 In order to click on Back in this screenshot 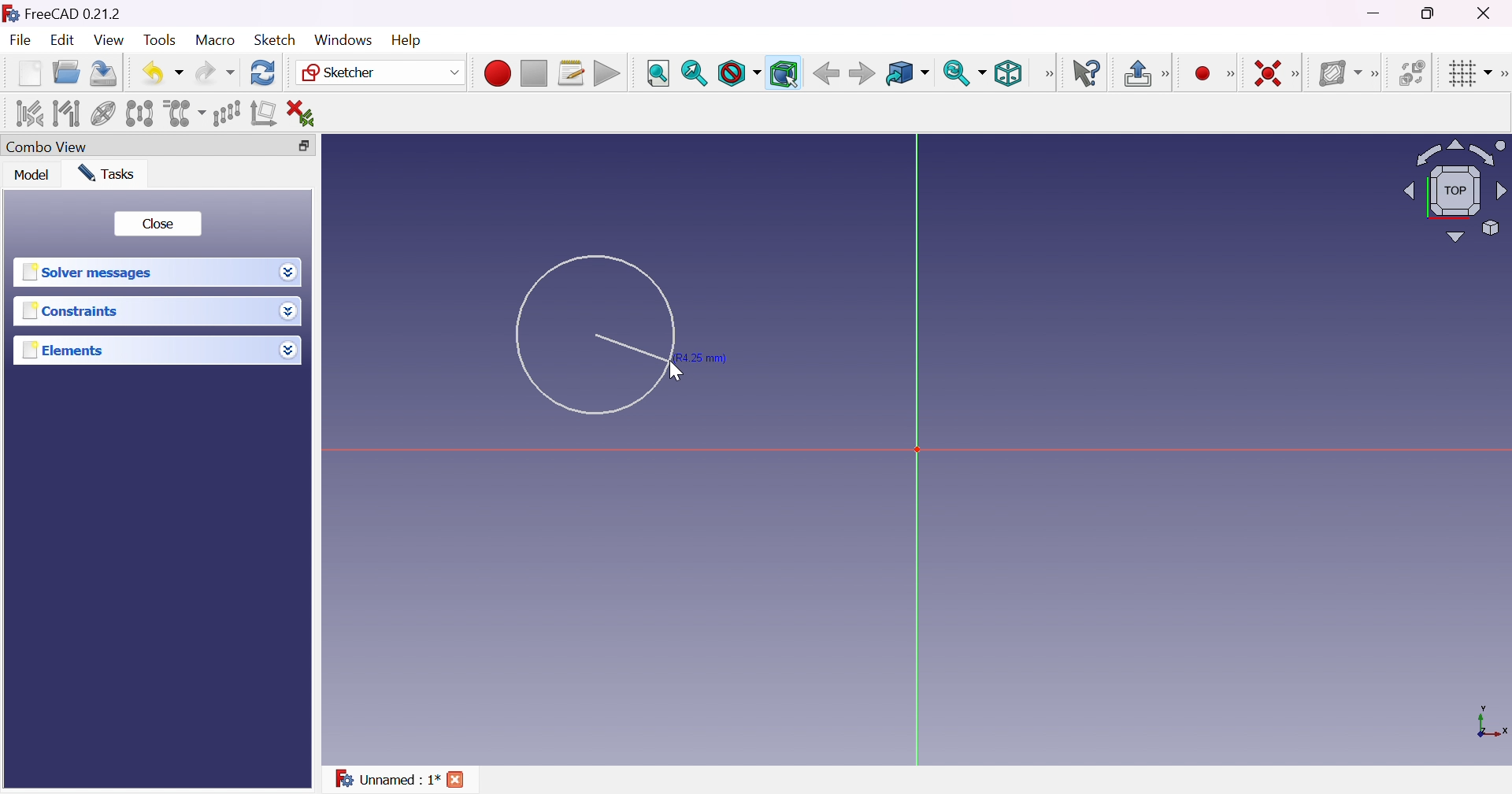, I will do `click(825, 73)`.